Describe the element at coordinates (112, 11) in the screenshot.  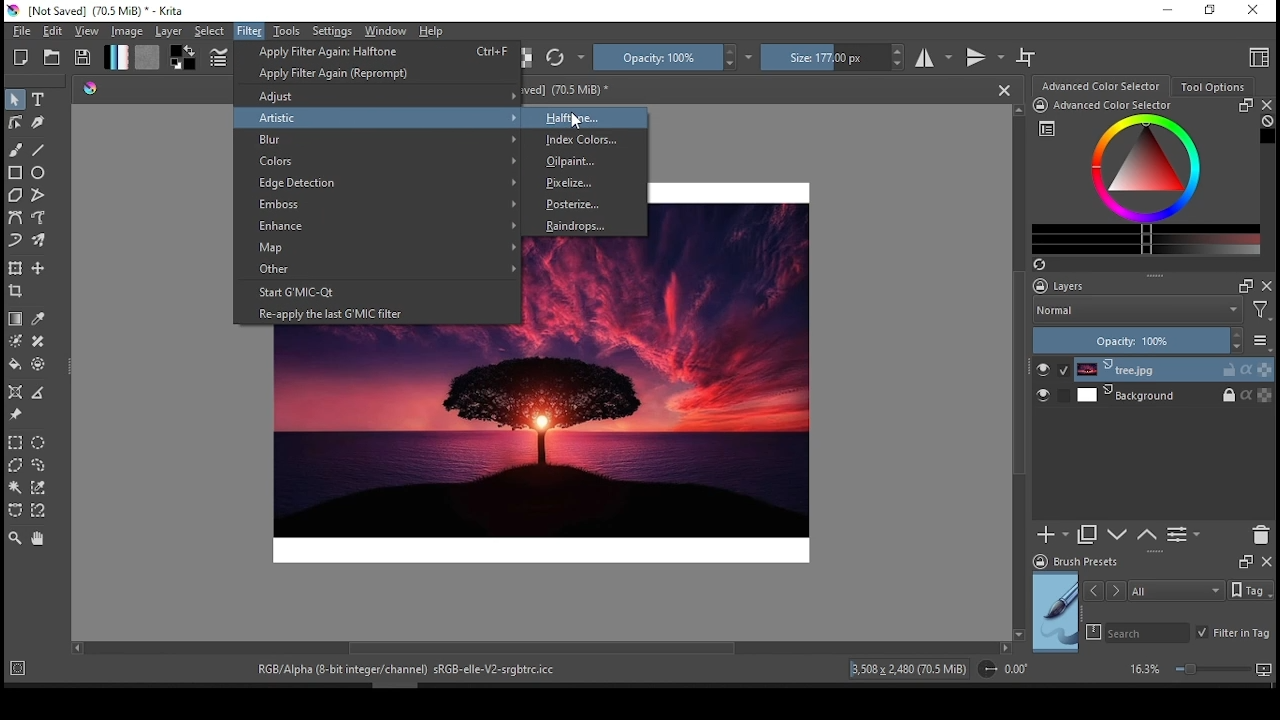
I see `icon and file name` at that location.